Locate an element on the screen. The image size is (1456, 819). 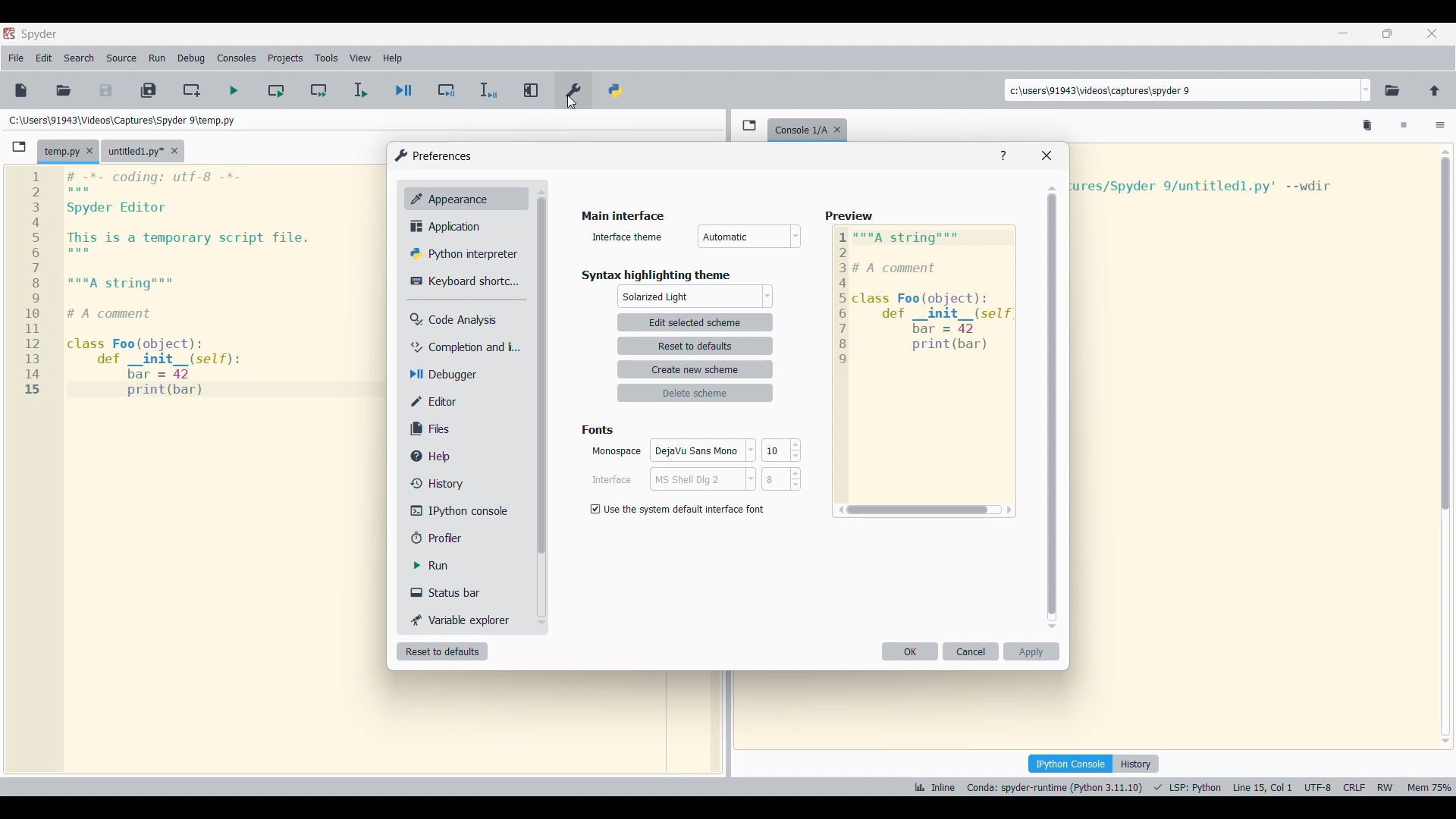
Help is located at coordinates (1003, 155).